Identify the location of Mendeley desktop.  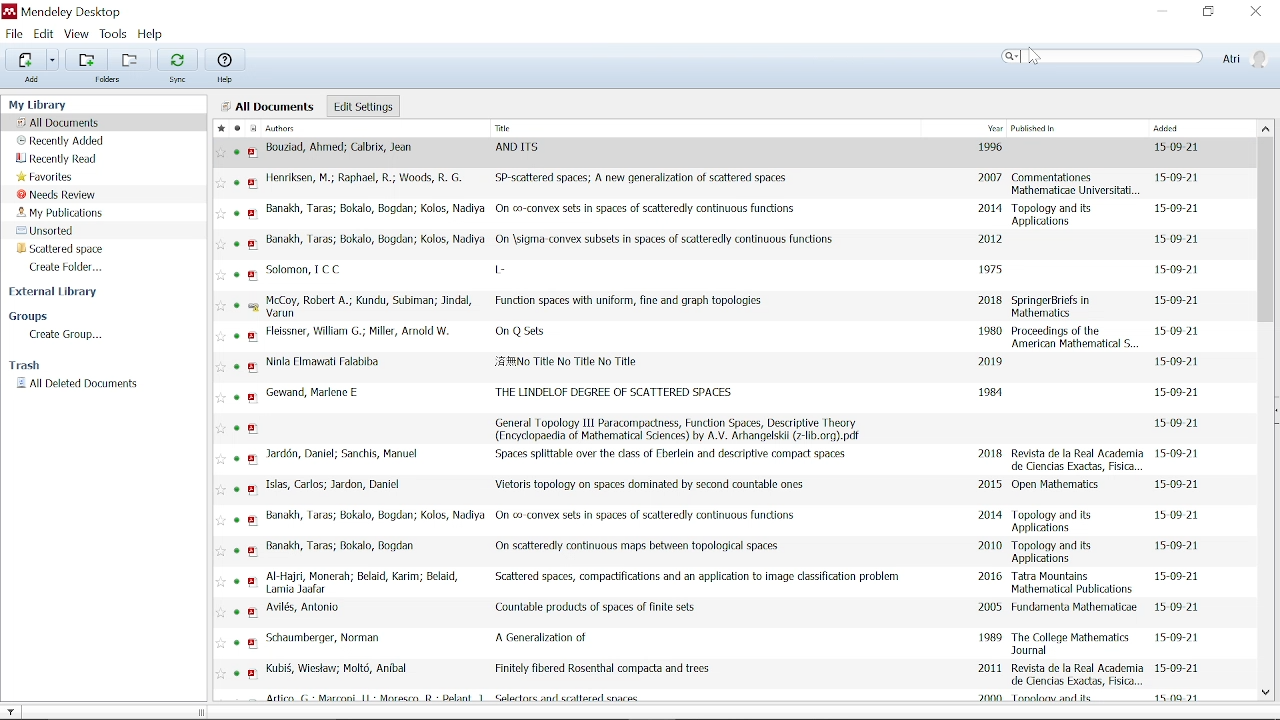
(71, 12).